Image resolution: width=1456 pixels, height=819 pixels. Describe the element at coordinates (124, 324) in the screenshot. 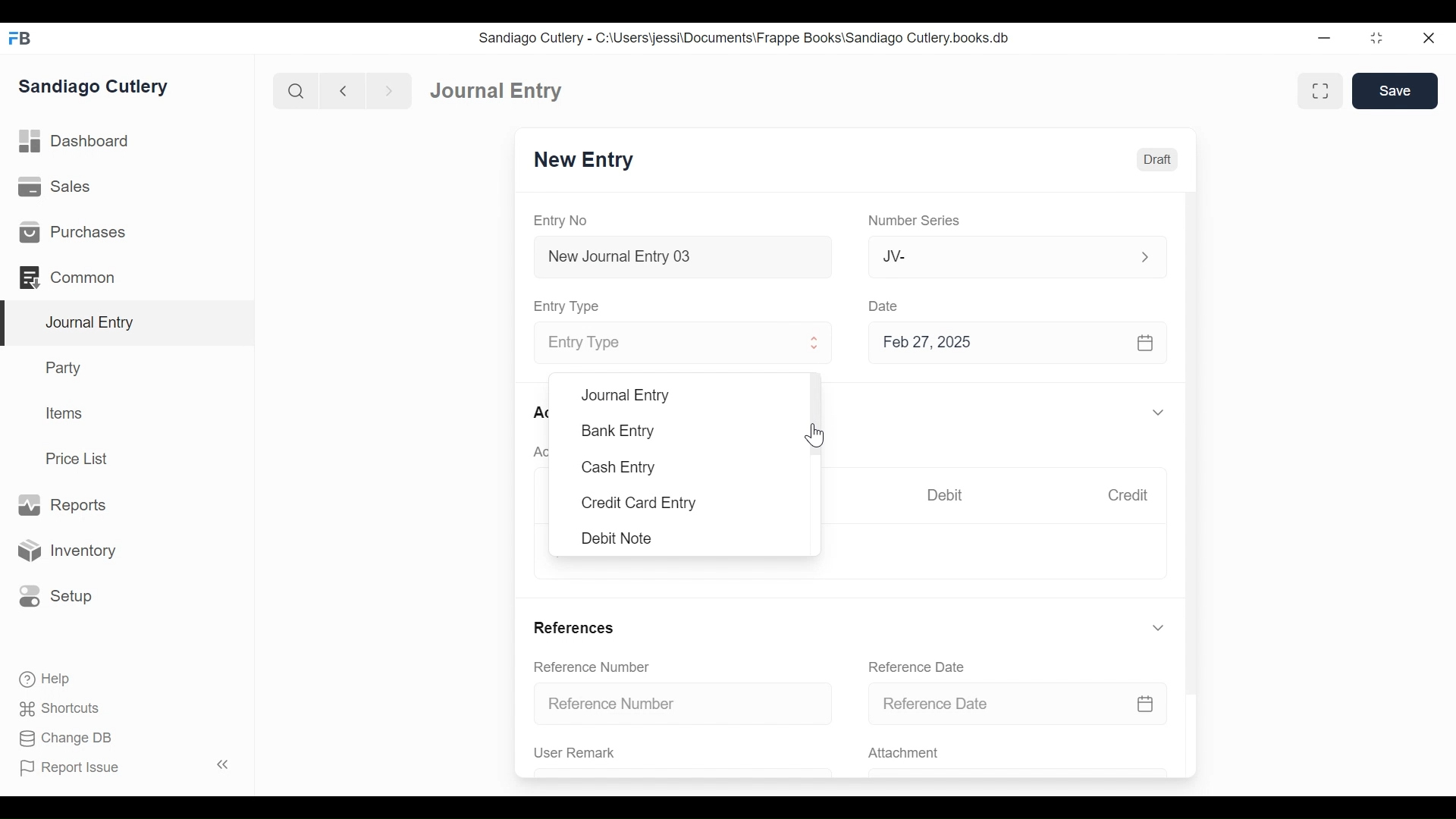

I see `Journal Entry` at that location.